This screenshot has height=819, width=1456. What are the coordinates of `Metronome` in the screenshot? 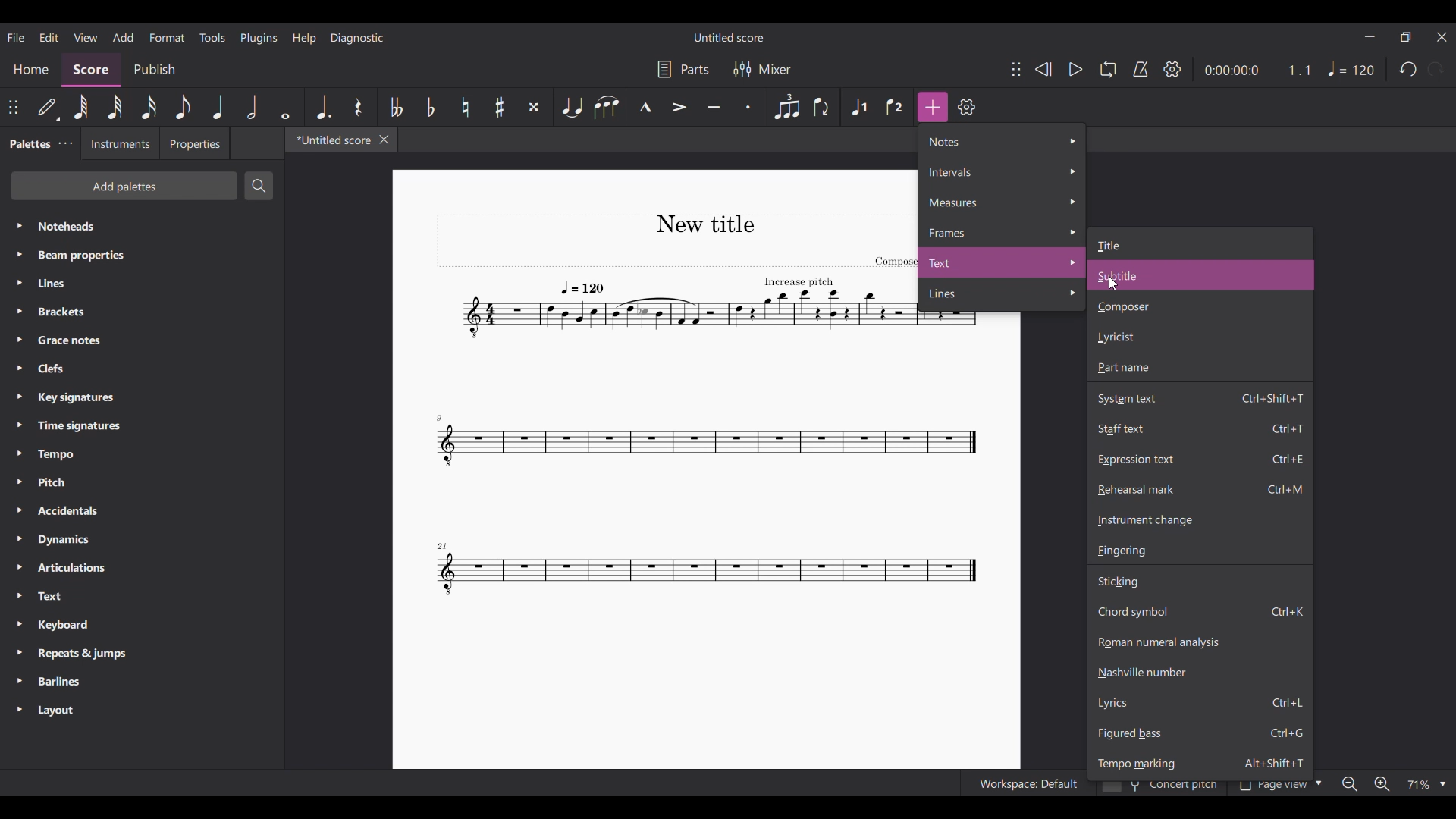 It's located at (1141, 69).